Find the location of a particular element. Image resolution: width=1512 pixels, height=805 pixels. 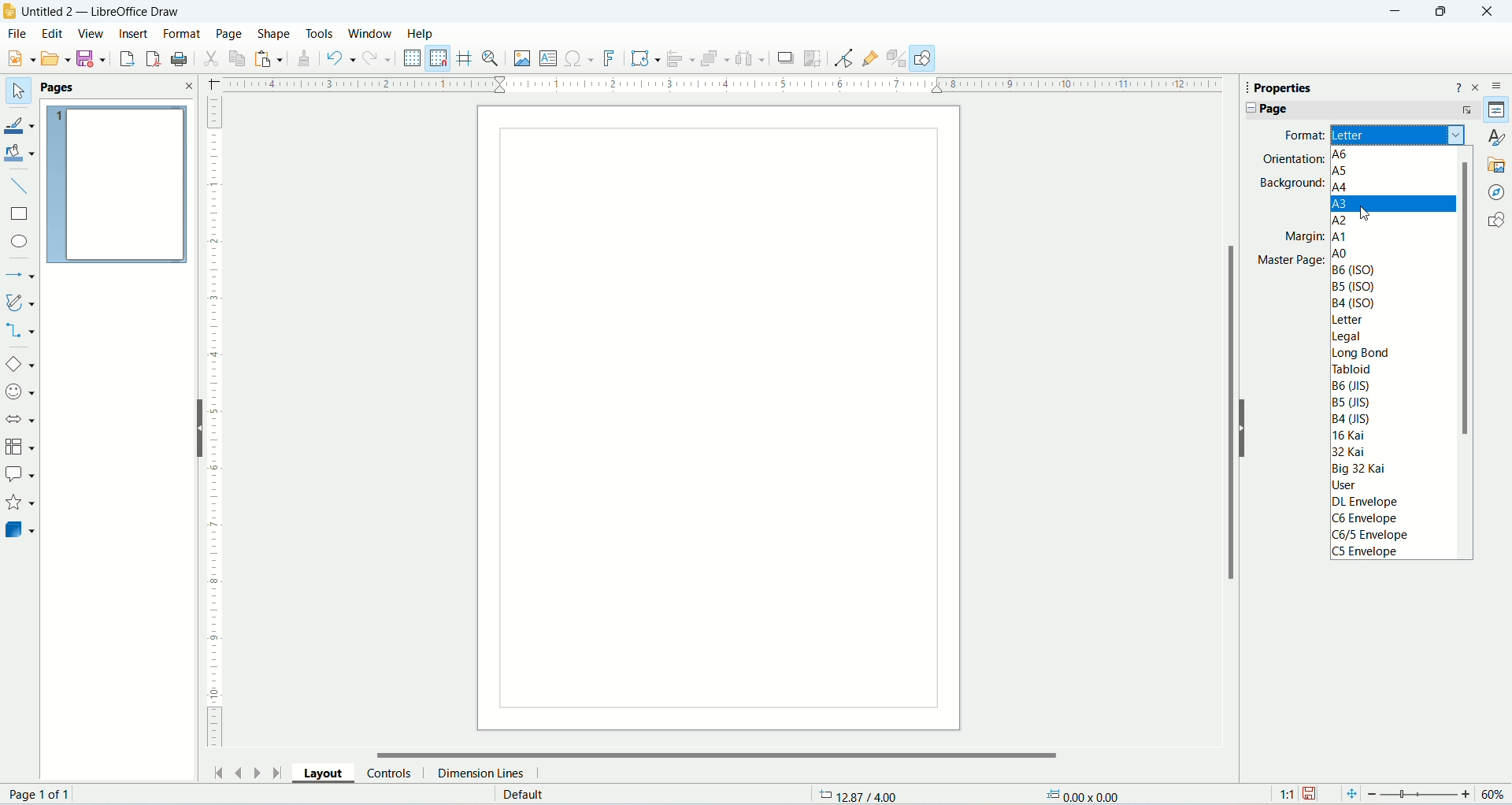

next page is located at coordinates (256, 772).